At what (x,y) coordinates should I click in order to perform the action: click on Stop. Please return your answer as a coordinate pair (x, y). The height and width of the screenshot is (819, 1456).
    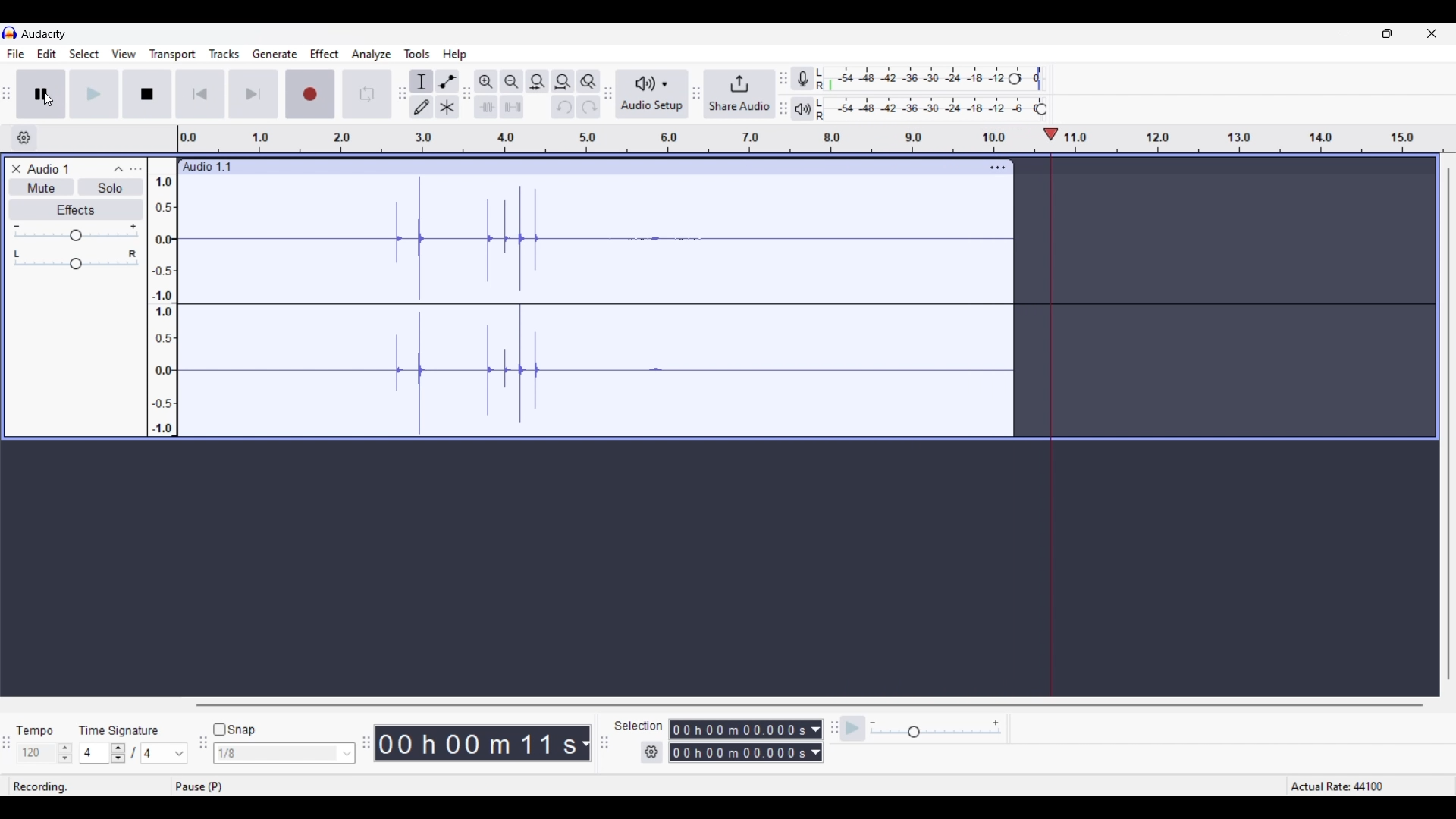
    Looking at the image, I should click on (147, 94).